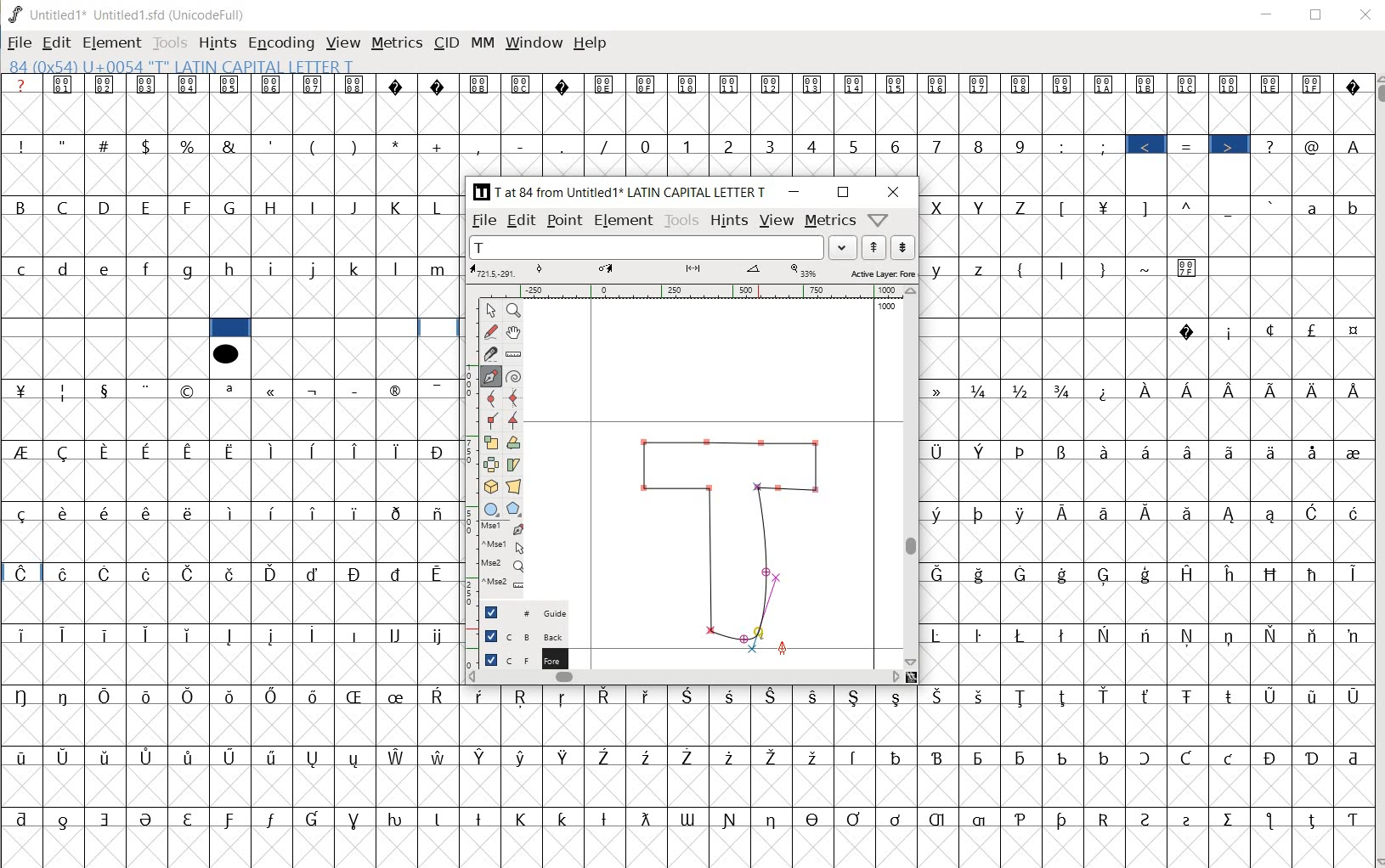 Image resolution: width=1385 pixels, height=868 pixels. What do you see at coordinates (845, 194) in the screenshot?
I see `maximize` at bounding box center [845, 194].